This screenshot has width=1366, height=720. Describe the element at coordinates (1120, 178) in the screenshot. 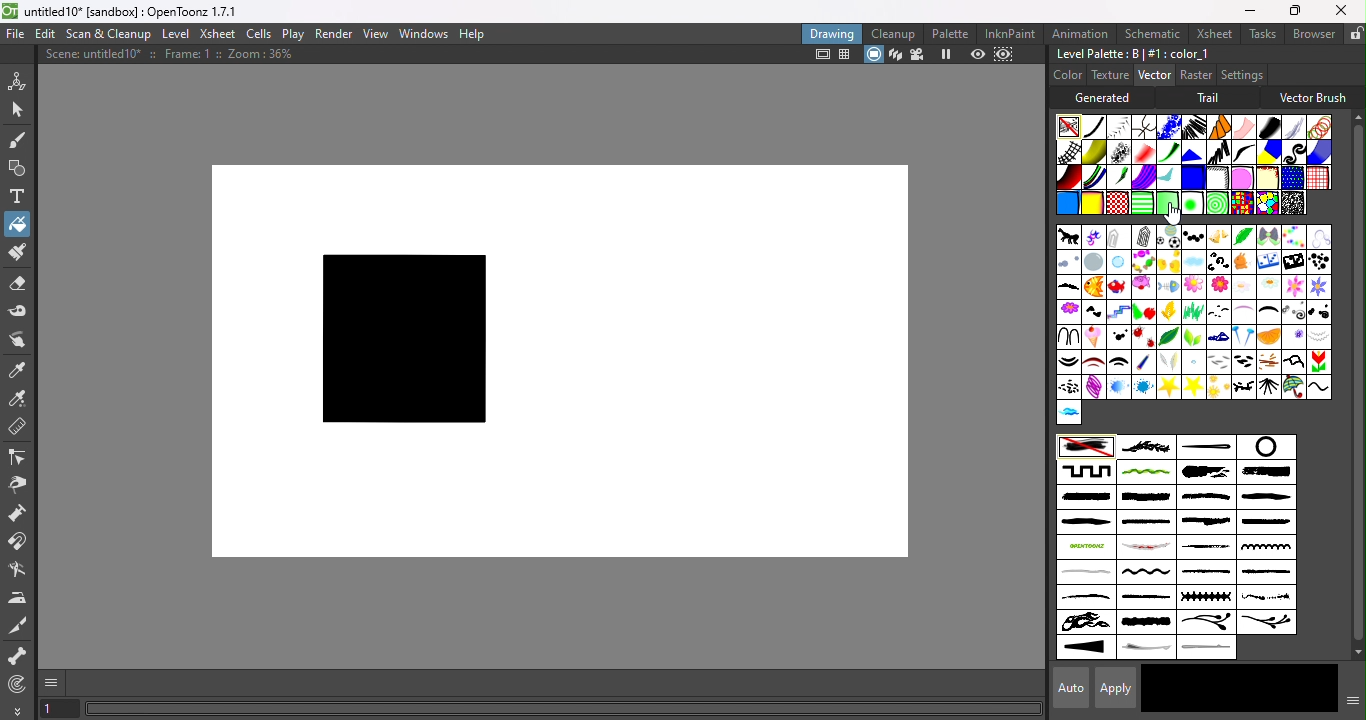

I see `Gouache` at that location.